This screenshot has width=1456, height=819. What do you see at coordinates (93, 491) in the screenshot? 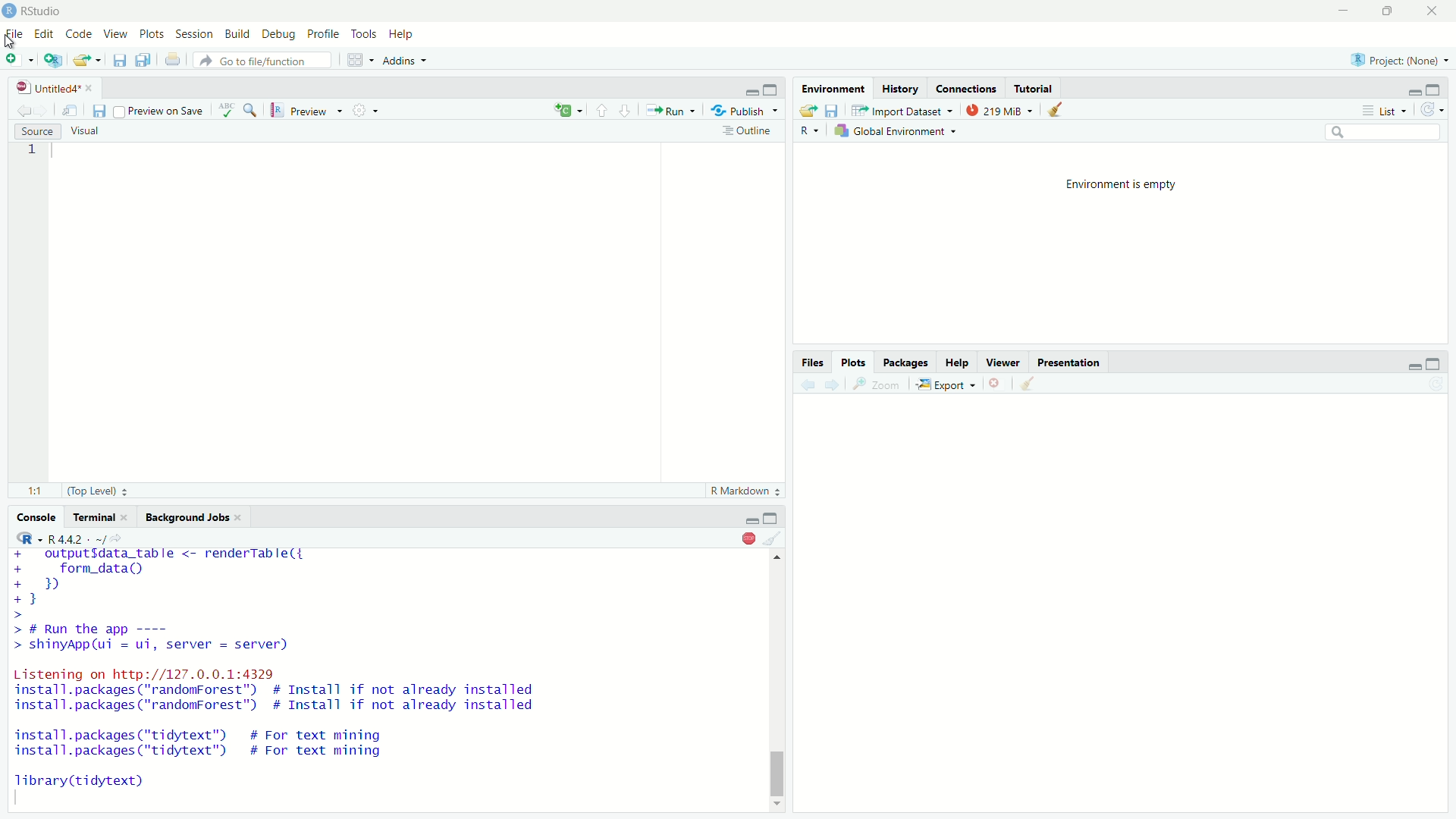
I see `top level()` at bounding box center [93, 491].